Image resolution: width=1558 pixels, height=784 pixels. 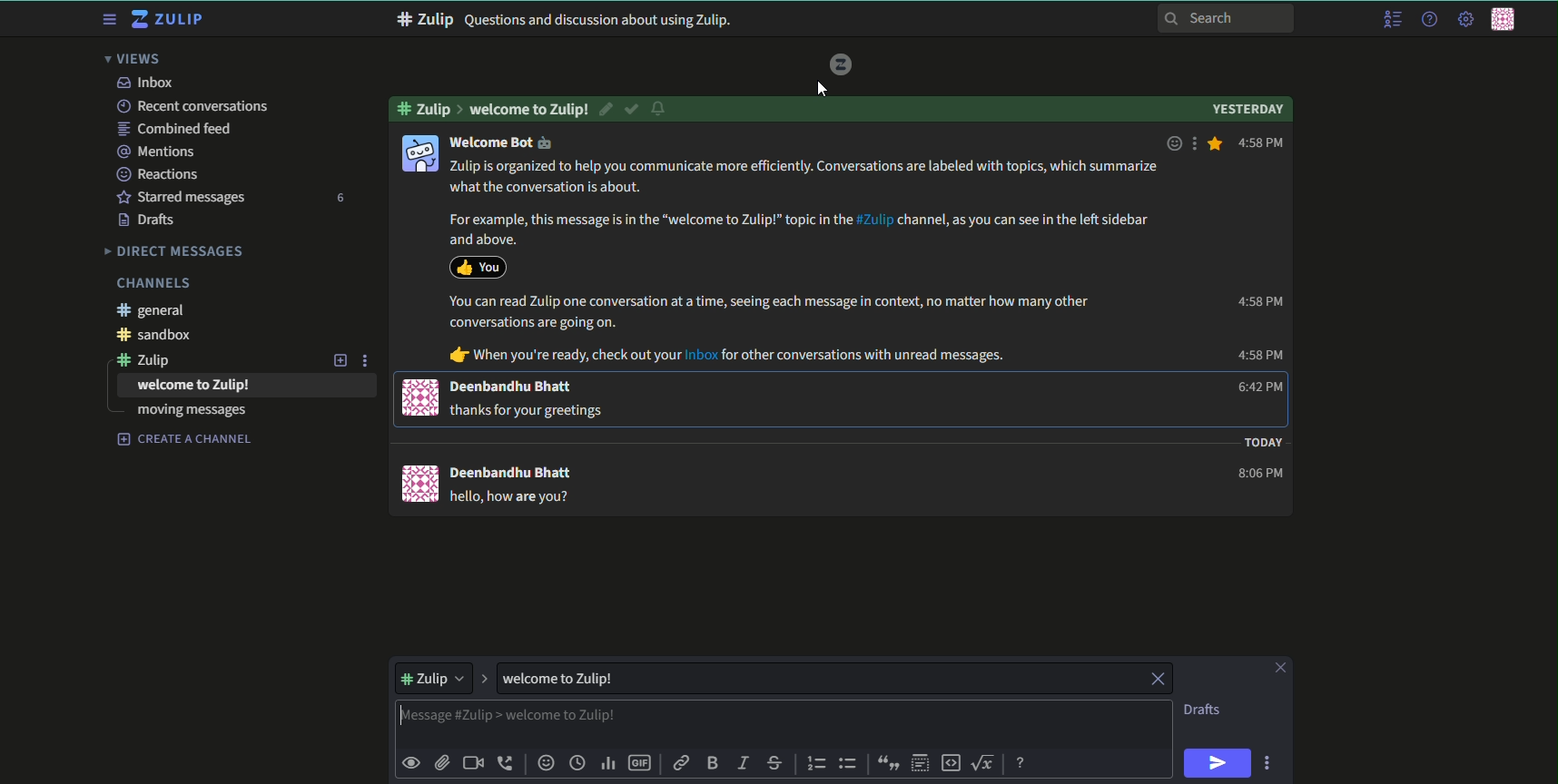 I want to click on italic, so click(x=748, y=764).